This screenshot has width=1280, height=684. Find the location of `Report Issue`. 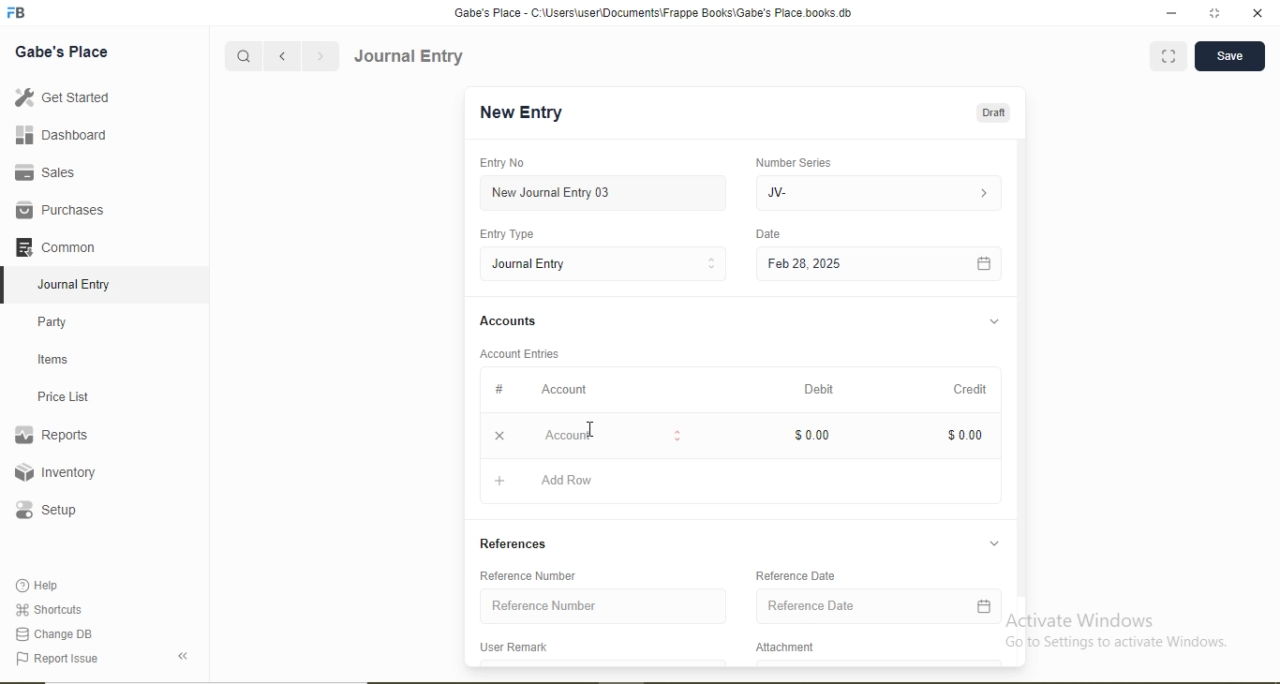

Report Issue is located at coordinates (56, 659).